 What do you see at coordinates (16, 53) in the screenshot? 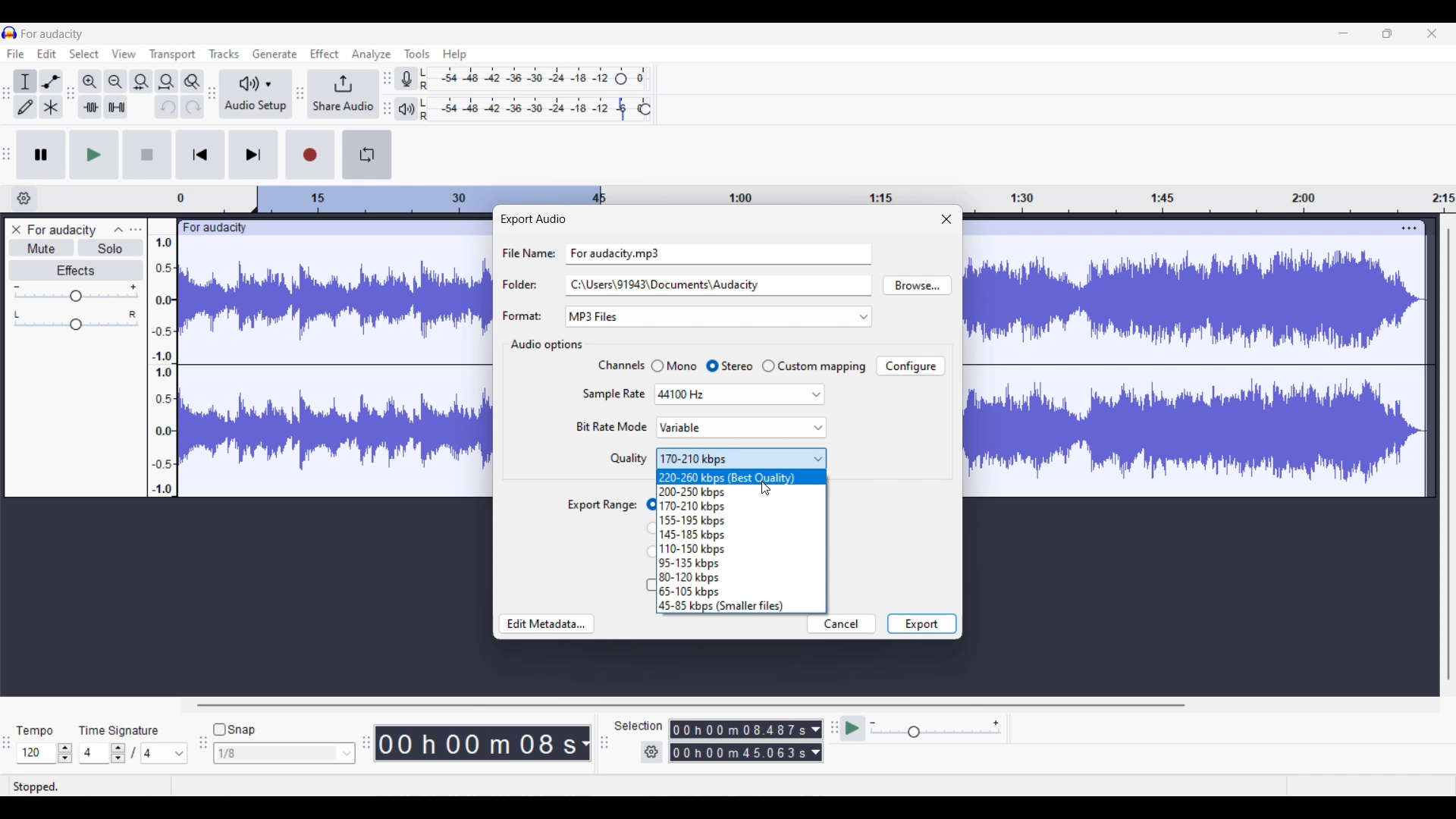
I see `File menu` at bounding box center [16, 53].